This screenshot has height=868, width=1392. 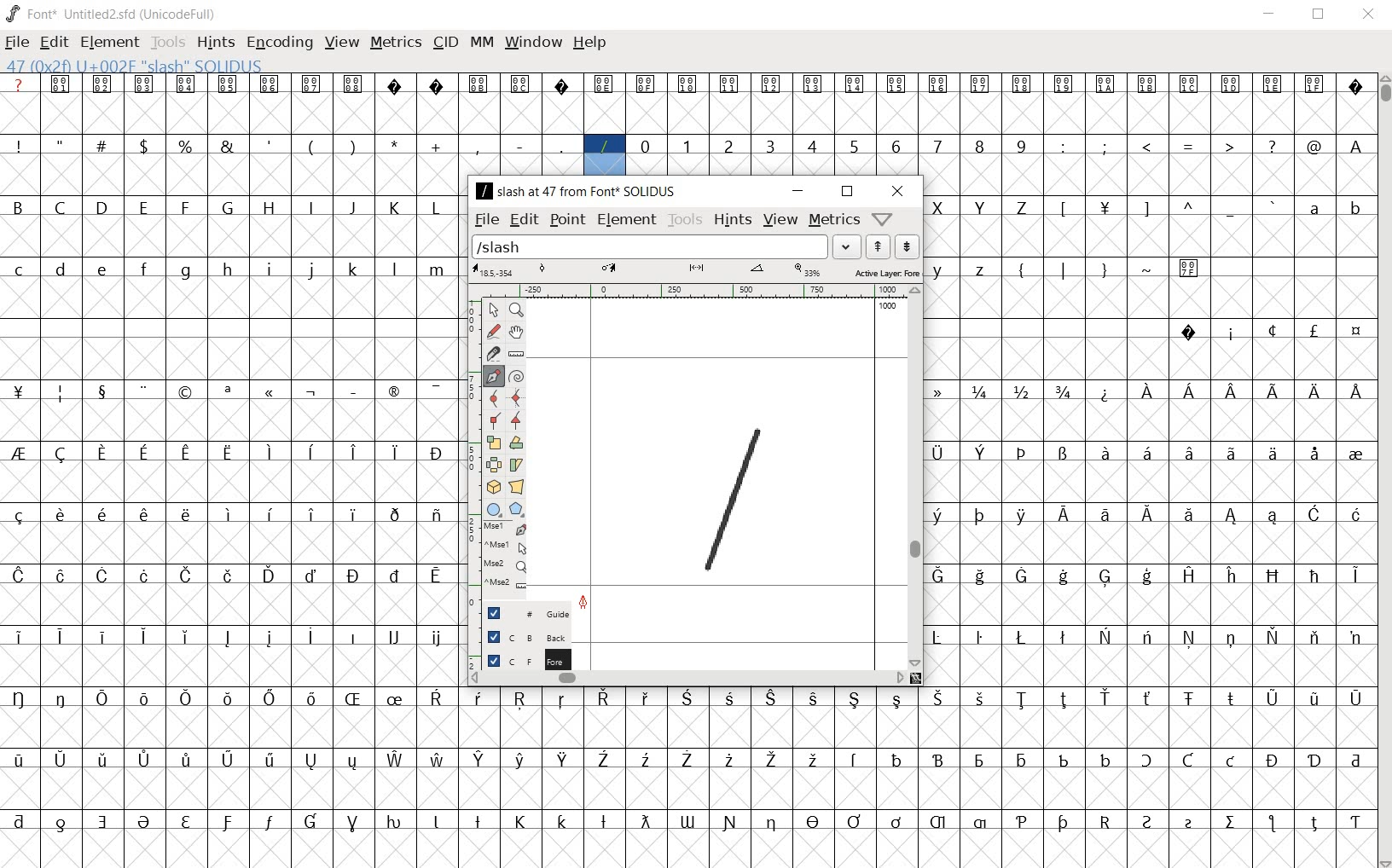 What do you see at coordinates (226, 208) in the screenshot?
I see `Capital letter B - L` at bounding box center [226, 208].